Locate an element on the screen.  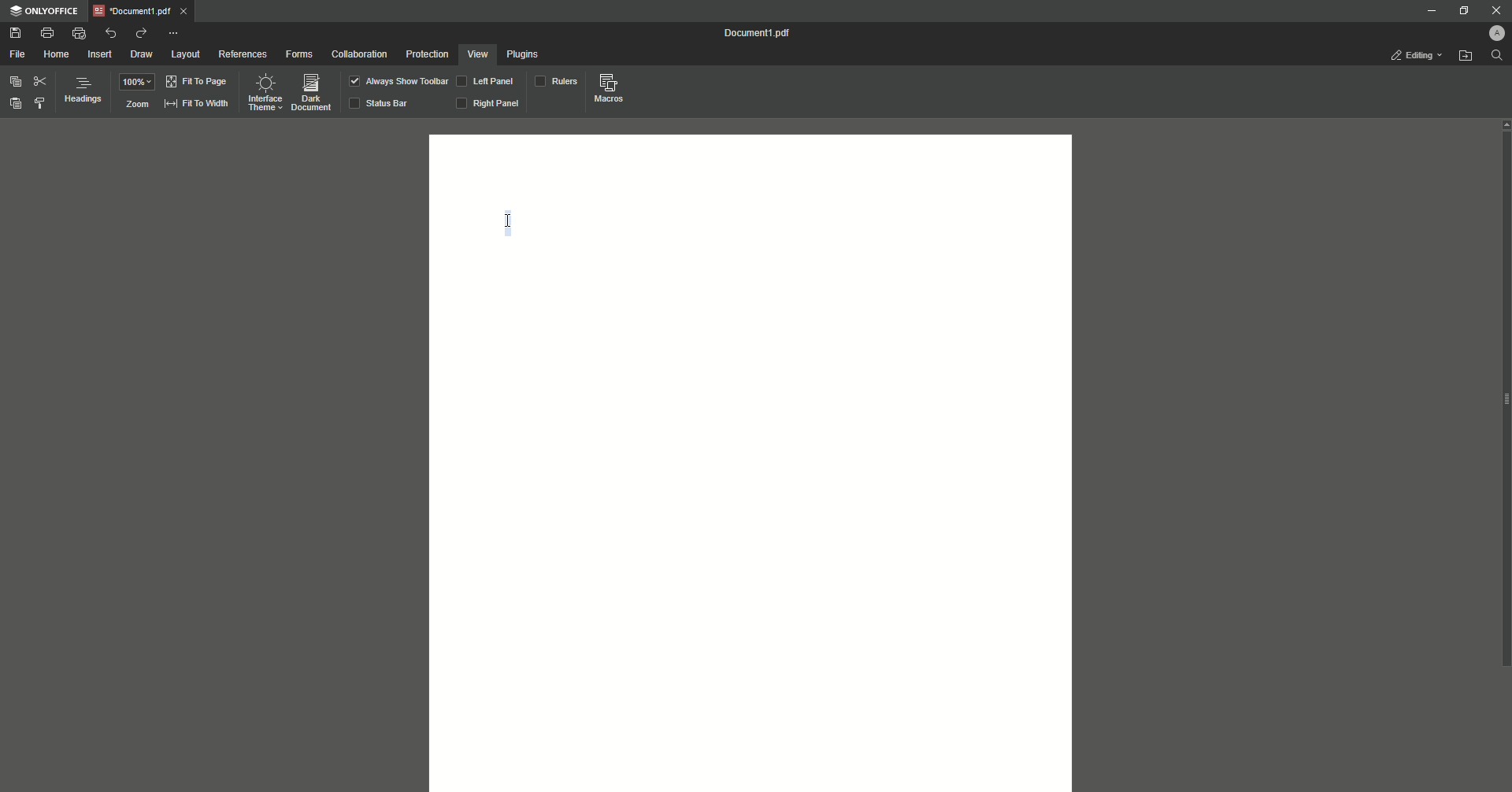
slider is located at coordinates (1500, 395).